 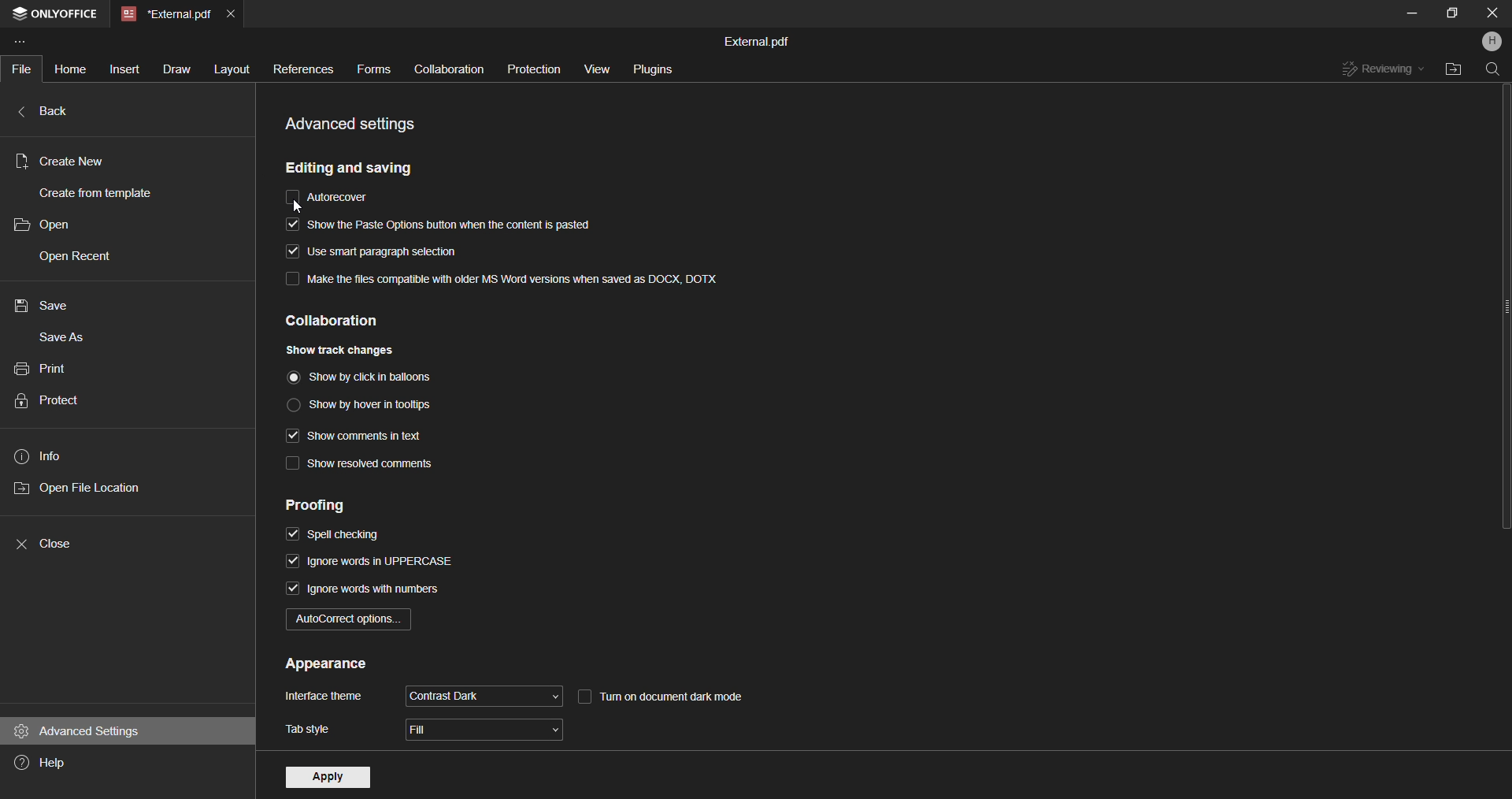 I want to click on Reviewing, so click(x=1380, y=71).